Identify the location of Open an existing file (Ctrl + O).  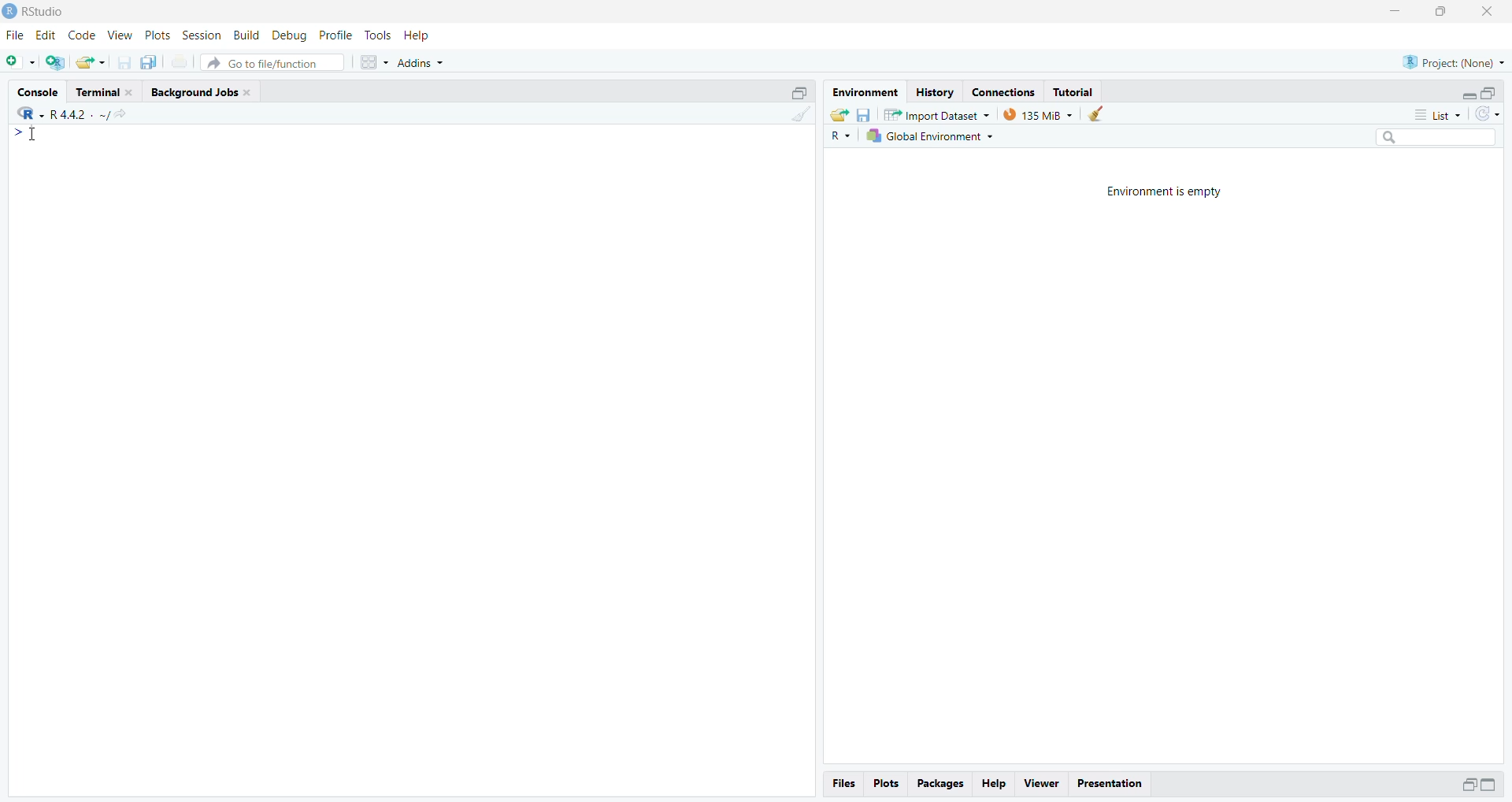
(92, 62).